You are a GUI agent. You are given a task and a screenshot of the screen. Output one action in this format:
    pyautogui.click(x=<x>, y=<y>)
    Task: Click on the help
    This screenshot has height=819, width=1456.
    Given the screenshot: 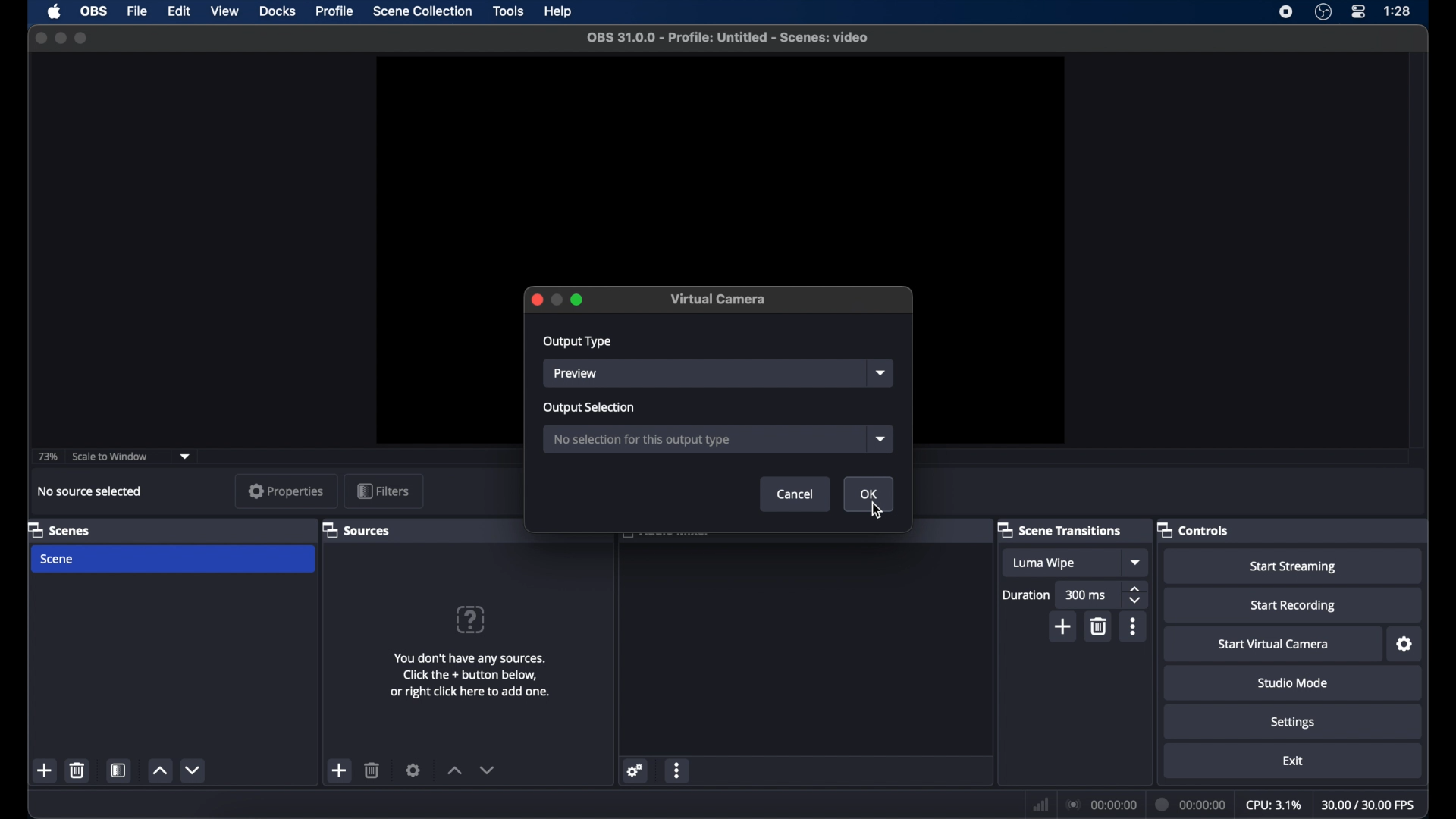 What is the action you would take?
    pyautogui.click(x=472, y=619)
    